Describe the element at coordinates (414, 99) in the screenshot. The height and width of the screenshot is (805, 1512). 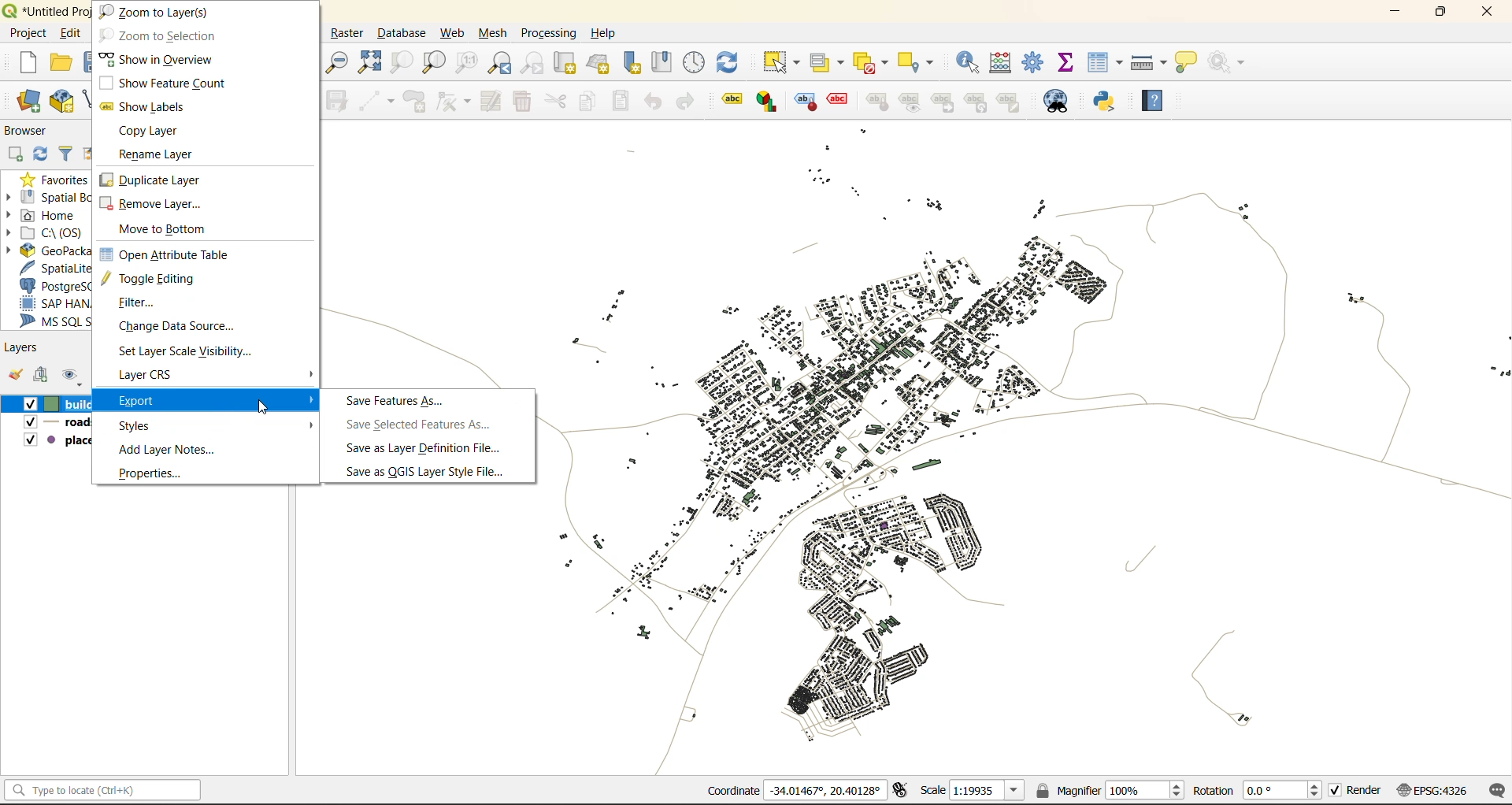
I see `add polygon` at that location.